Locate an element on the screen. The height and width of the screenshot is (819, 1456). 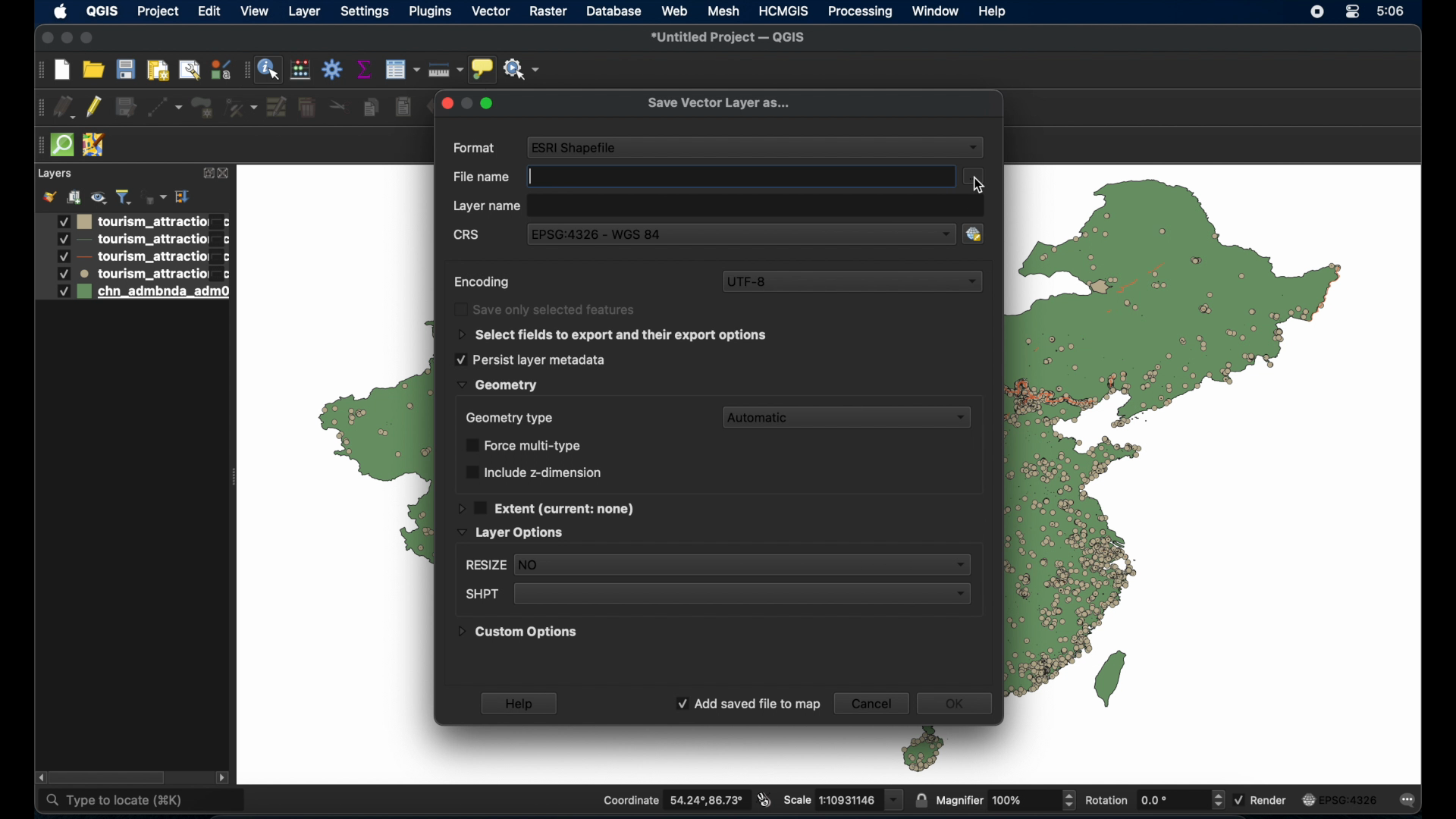
layer is located at coordinates (54, 174).